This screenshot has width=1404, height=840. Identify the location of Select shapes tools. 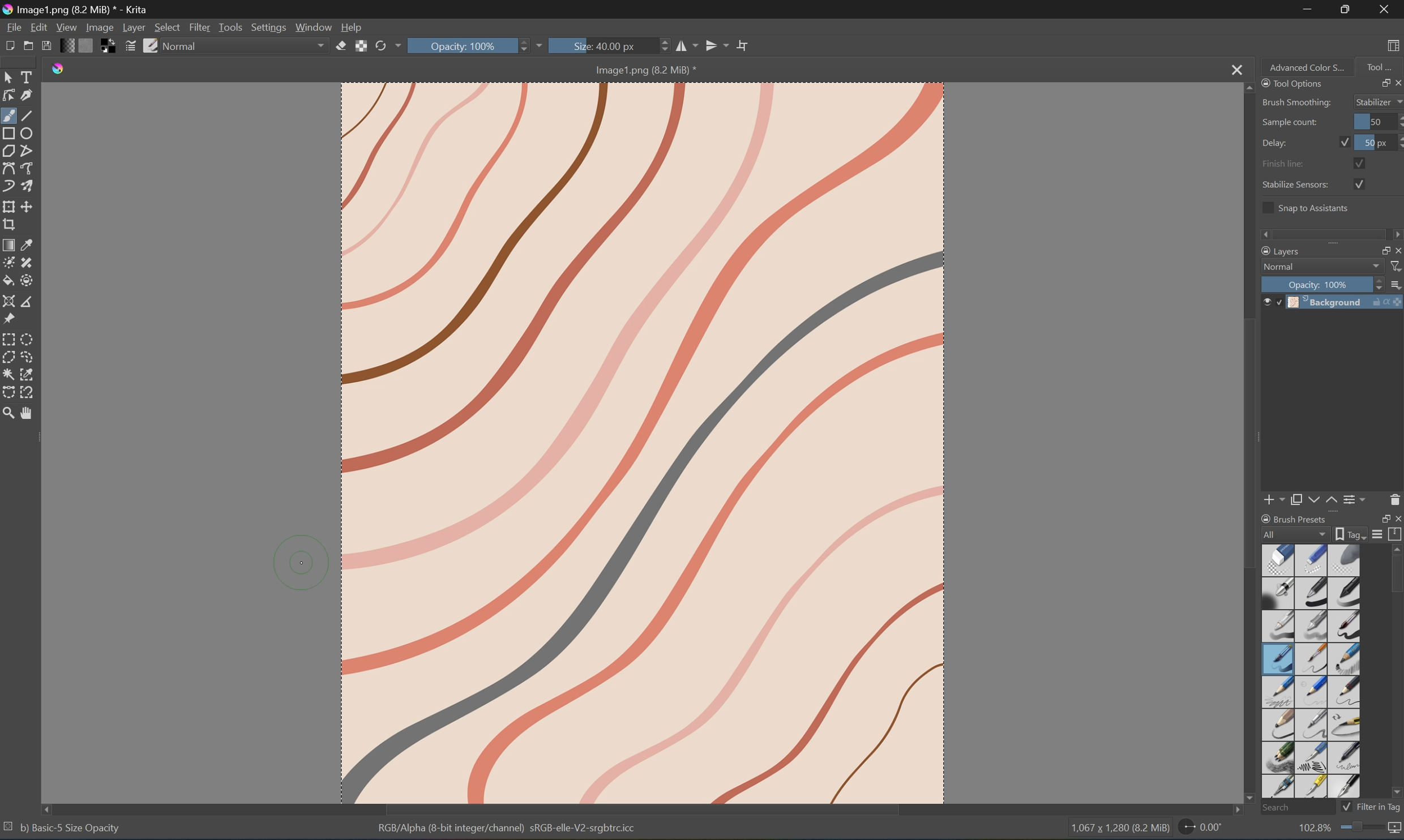
(10, 76).